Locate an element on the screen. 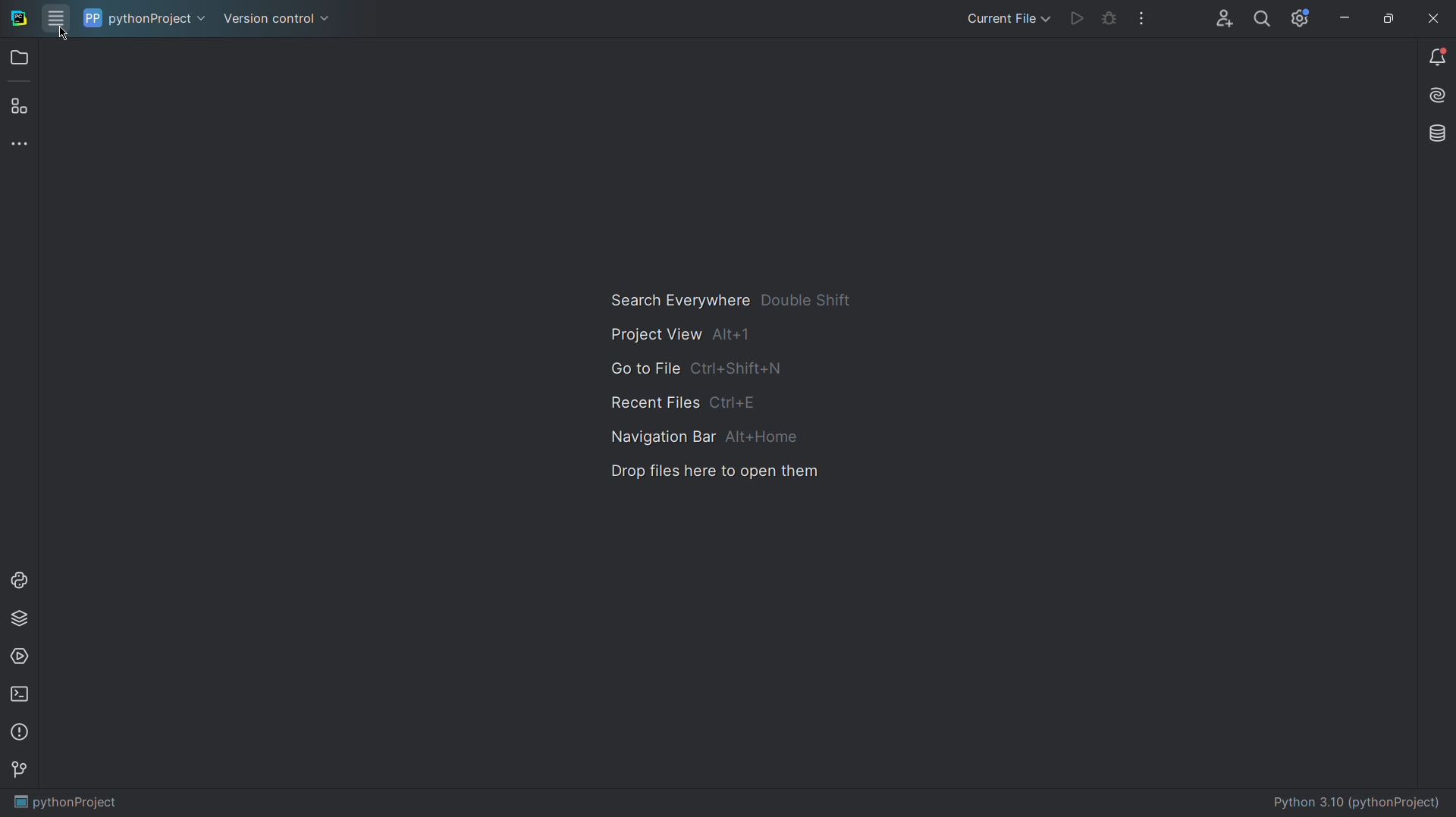  Python Packages is located at coordinates (22, 621).